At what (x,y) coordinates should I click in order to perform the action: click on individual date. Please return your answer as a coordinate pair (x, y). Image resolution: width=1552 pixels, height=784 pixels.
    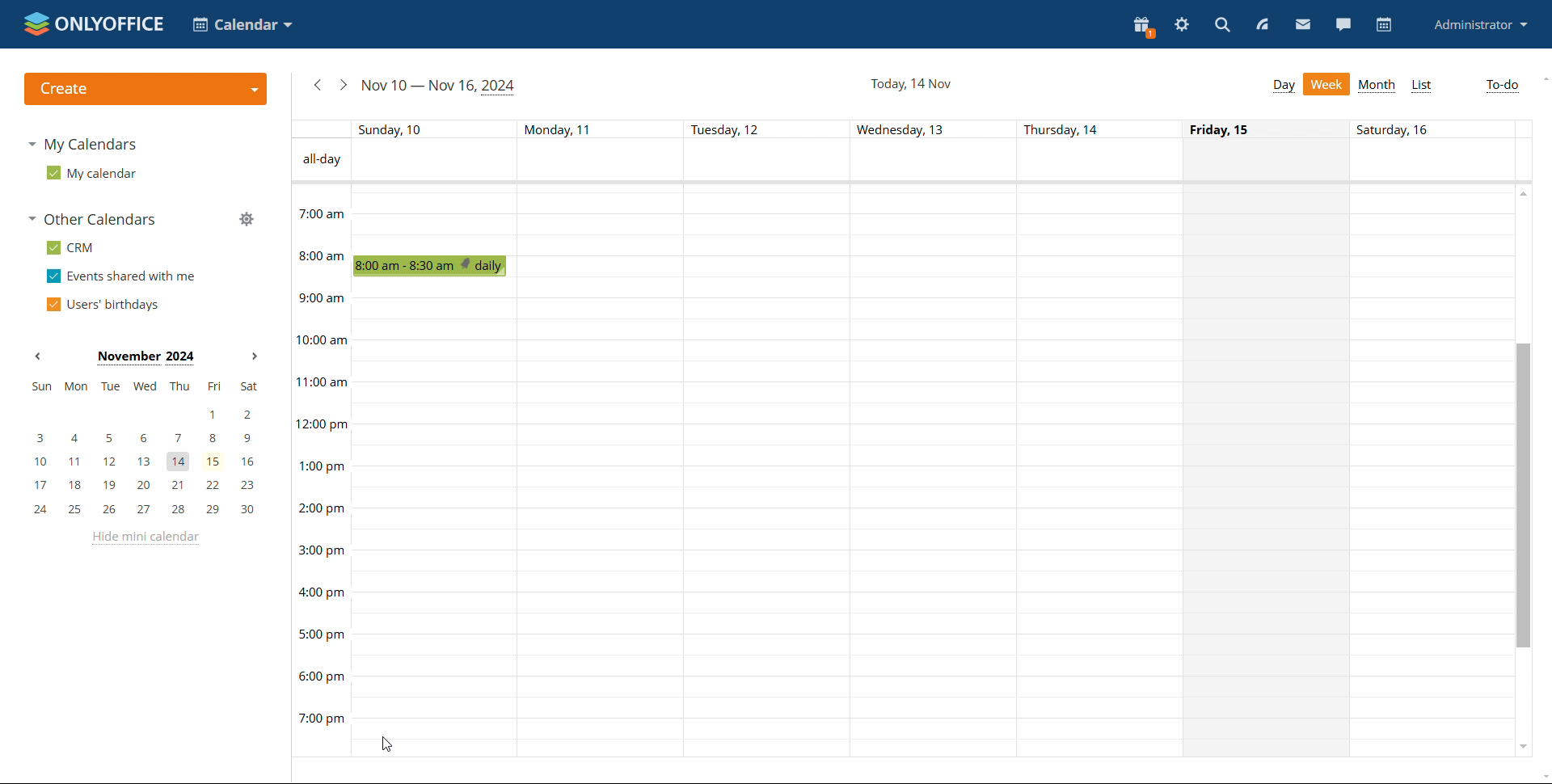
    Looking at the image, I should click on (900, 129).